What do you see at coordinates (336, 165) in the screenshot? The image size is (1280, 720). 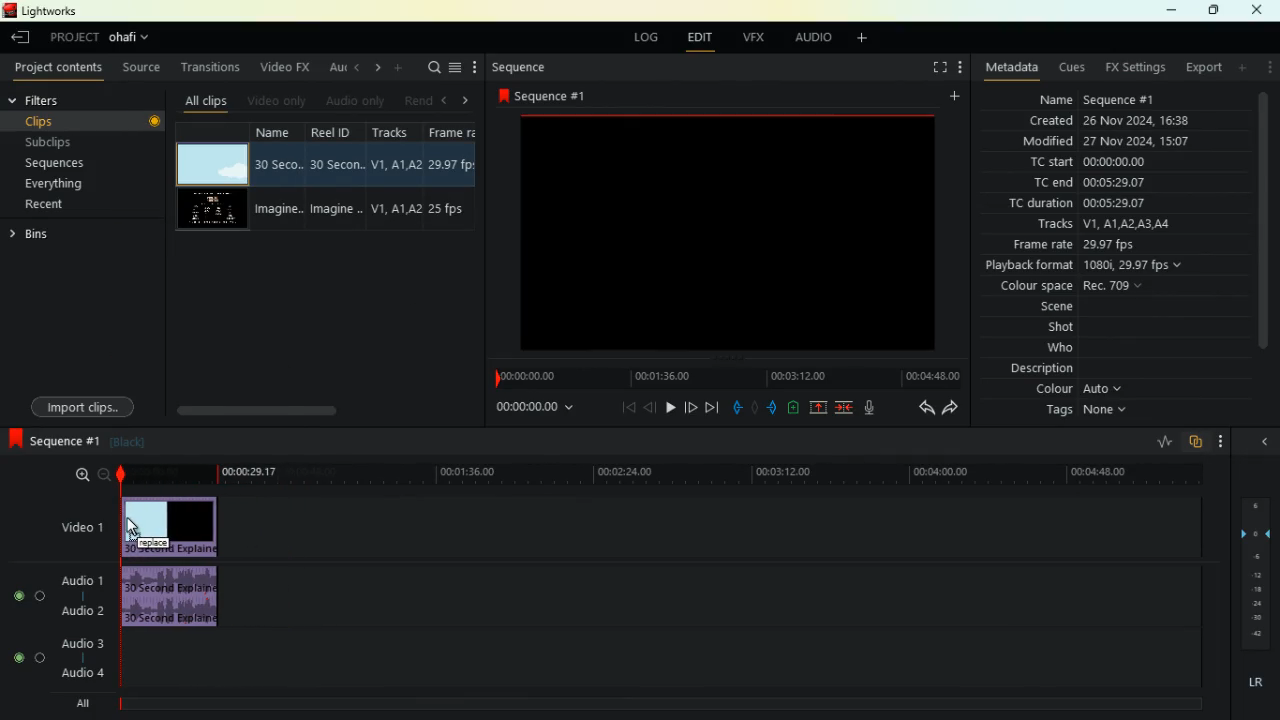 I see `30 seco` at bounding box center [336, 165].